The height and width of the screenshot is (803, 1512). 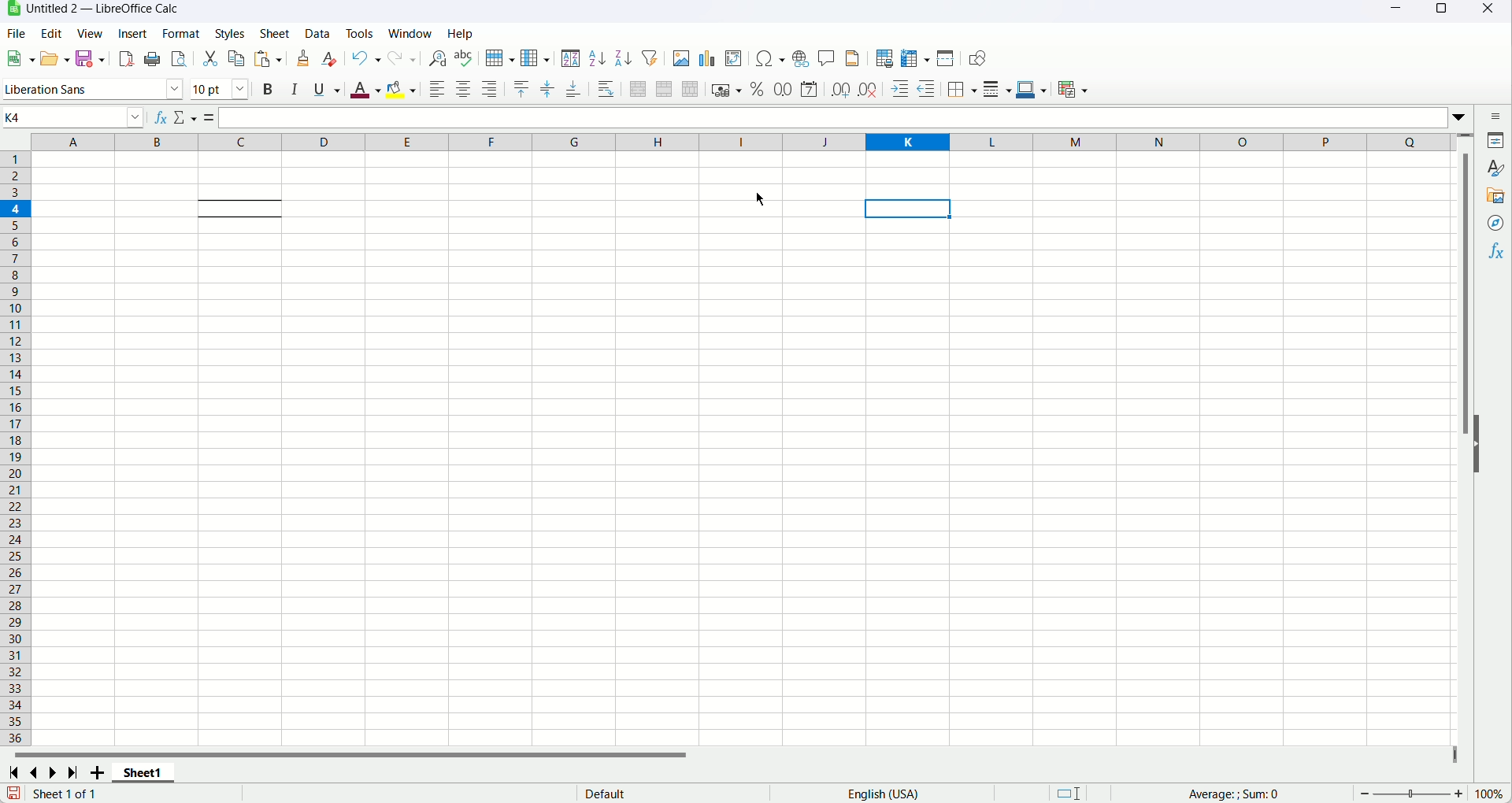 I want to click on Paste, so click(x=268, y=59).